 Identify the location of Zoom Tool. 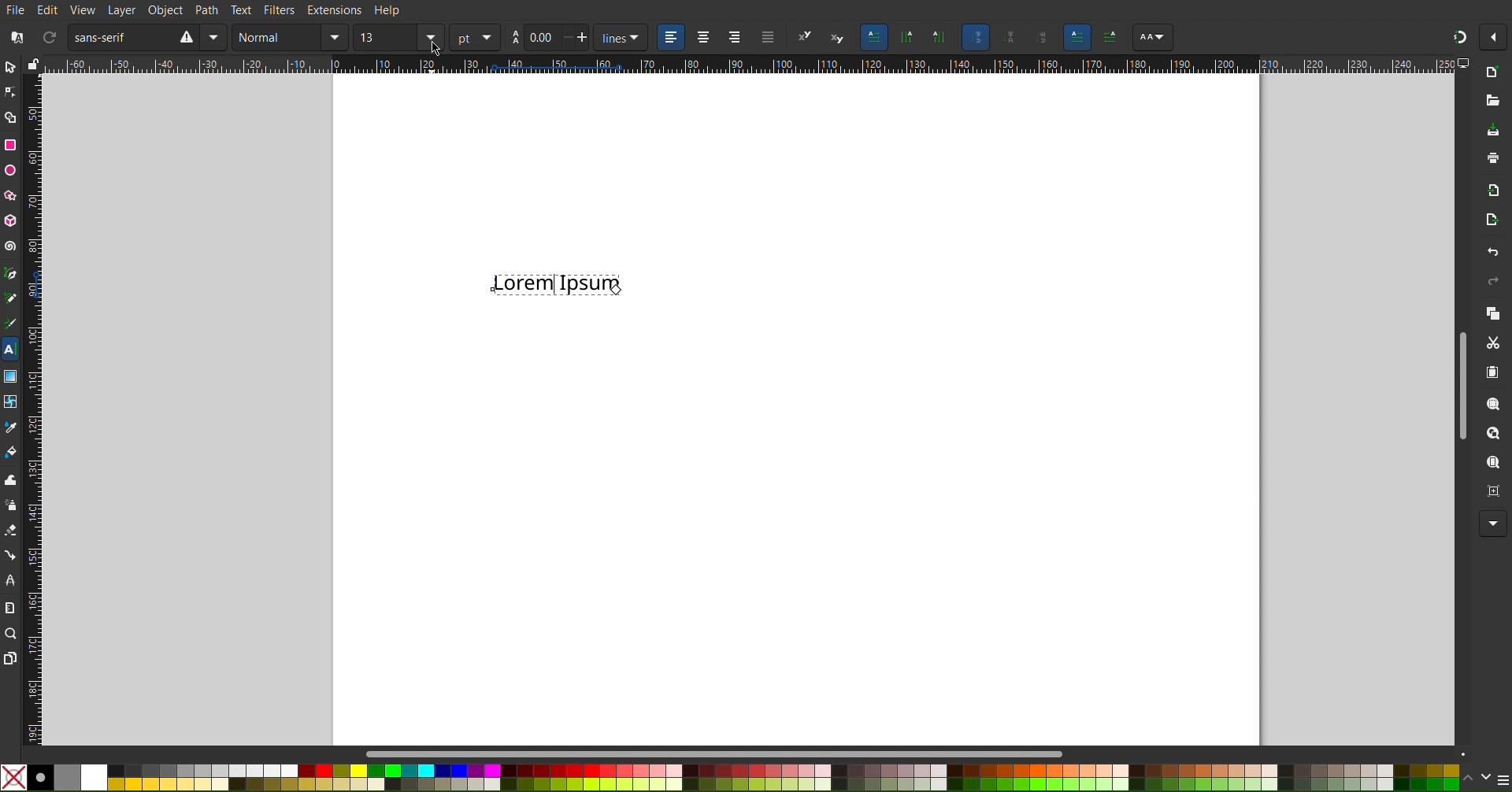
(10, 633).